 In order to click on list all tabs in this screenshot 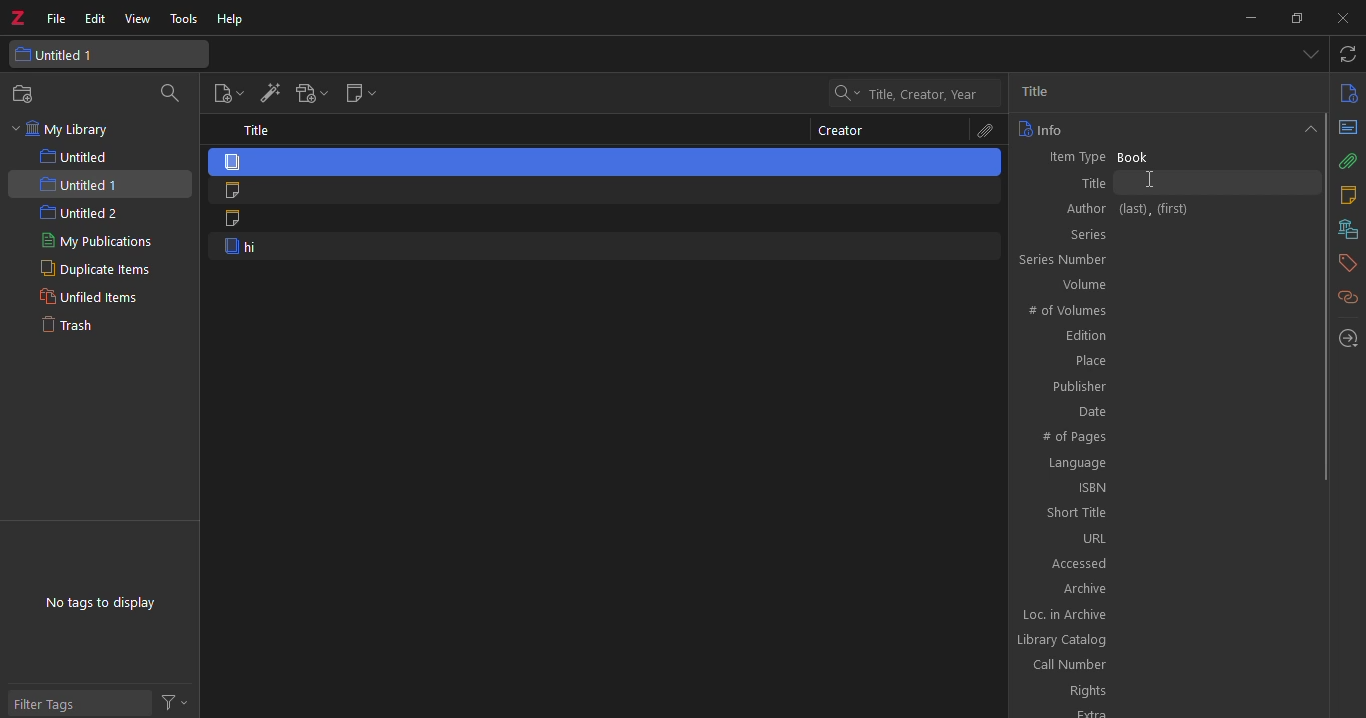, I will do `click(1310, 56)`.